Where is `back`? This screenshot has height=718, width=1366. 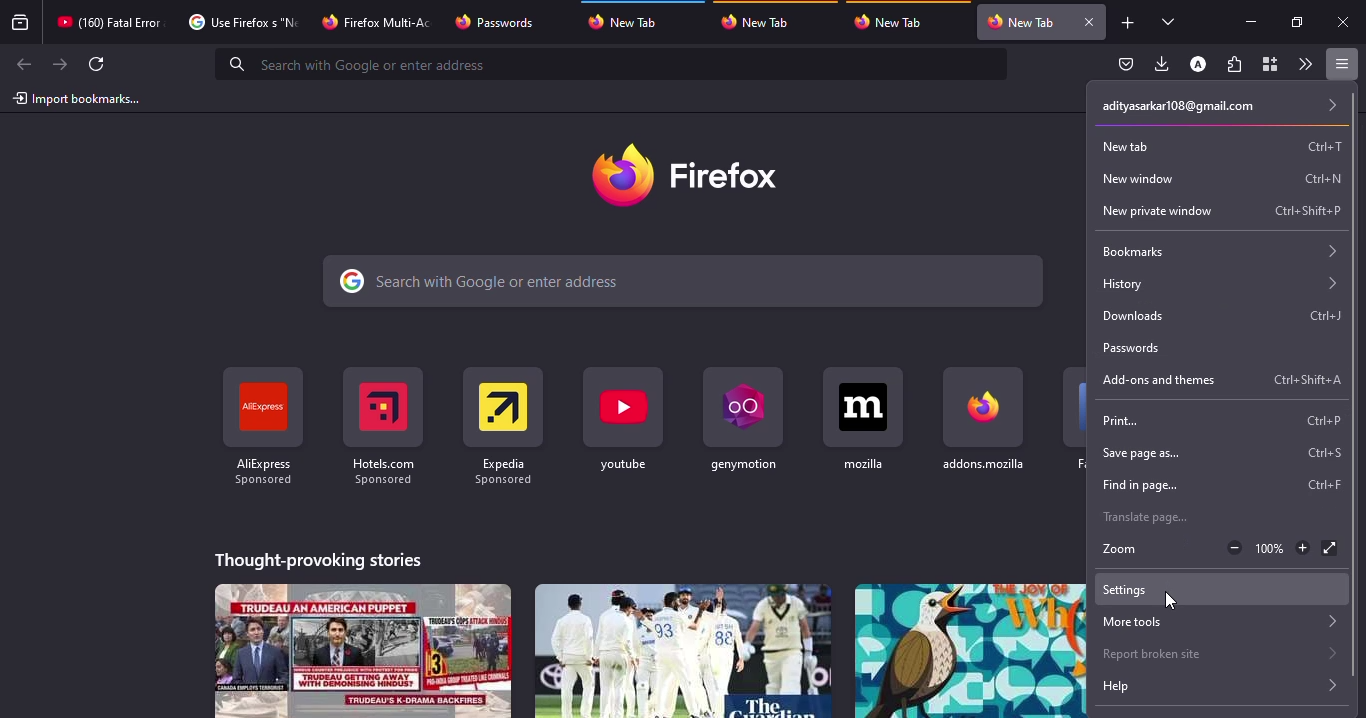
back is located at coordinates (21, 65).